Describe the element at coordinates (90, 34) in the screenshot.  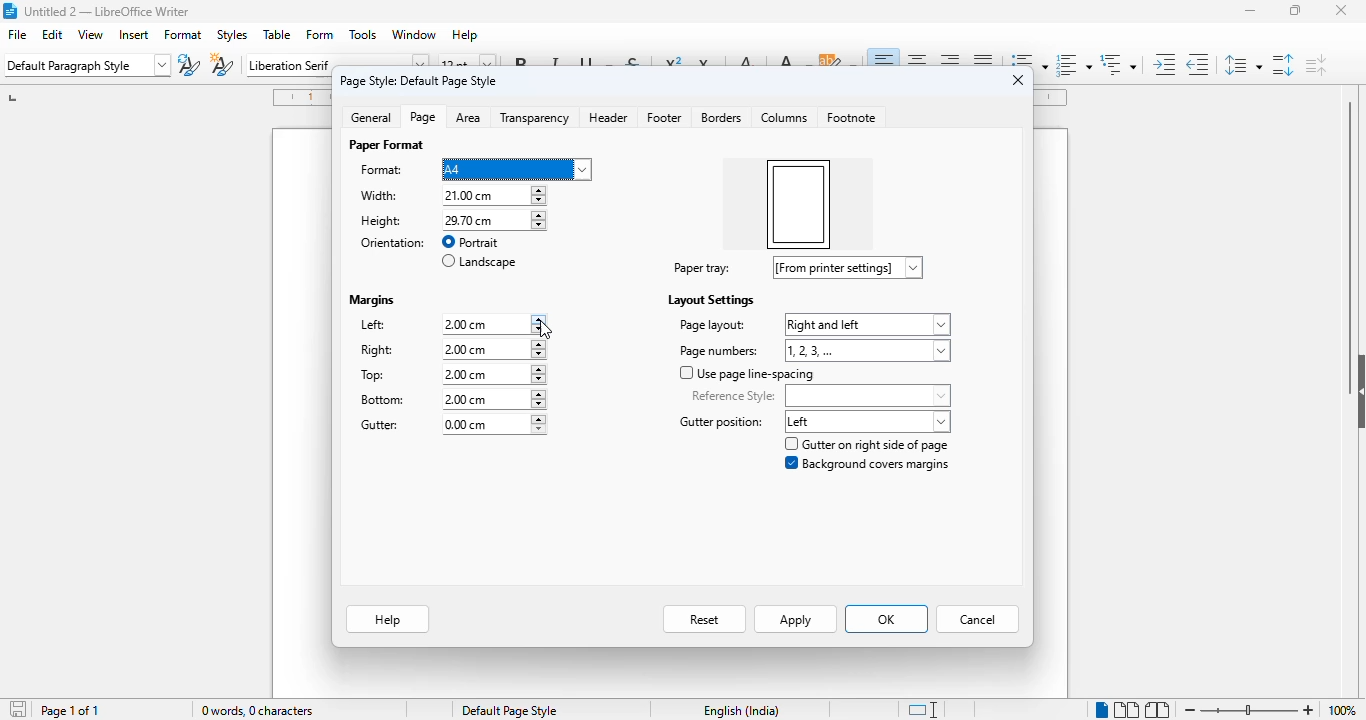
I see `view` at that location.